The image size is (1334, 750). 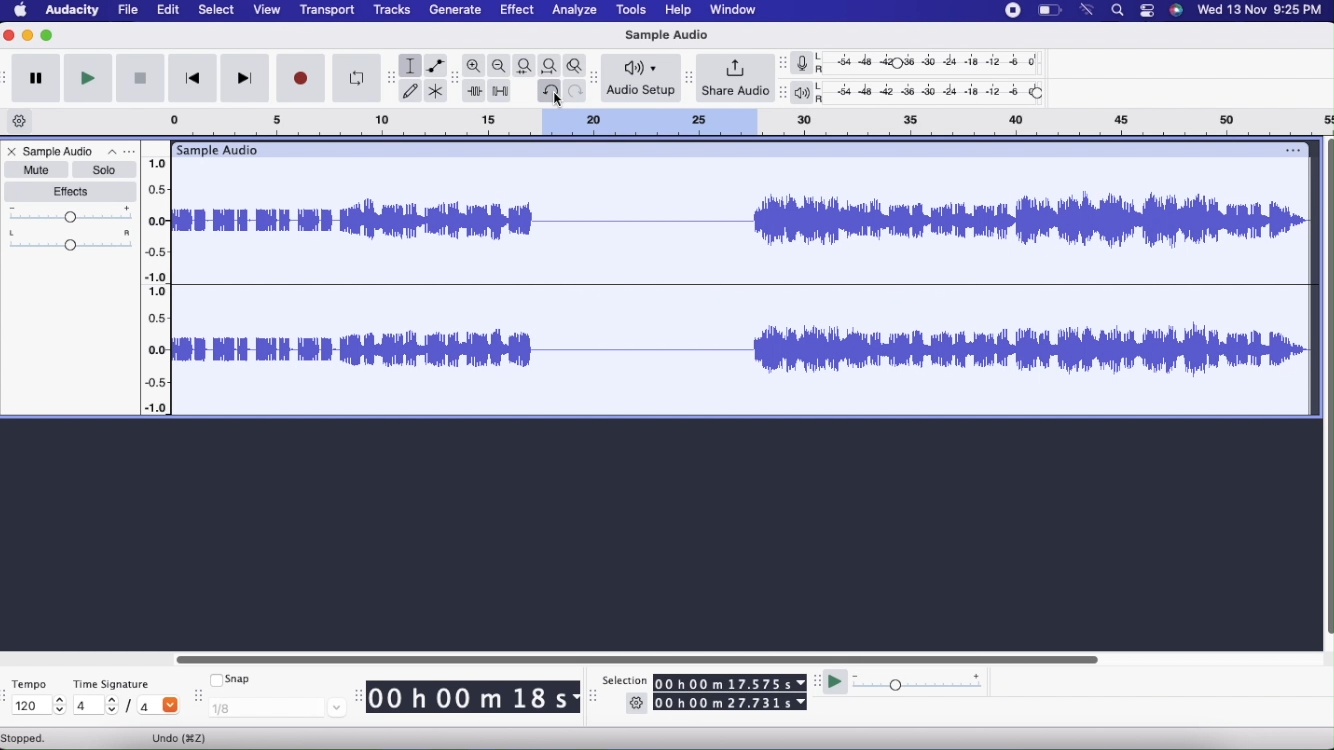 What do you see at coordinates (816, 683) in the screenshot?
I see `move toolbar` at bounding box center [816, 683].